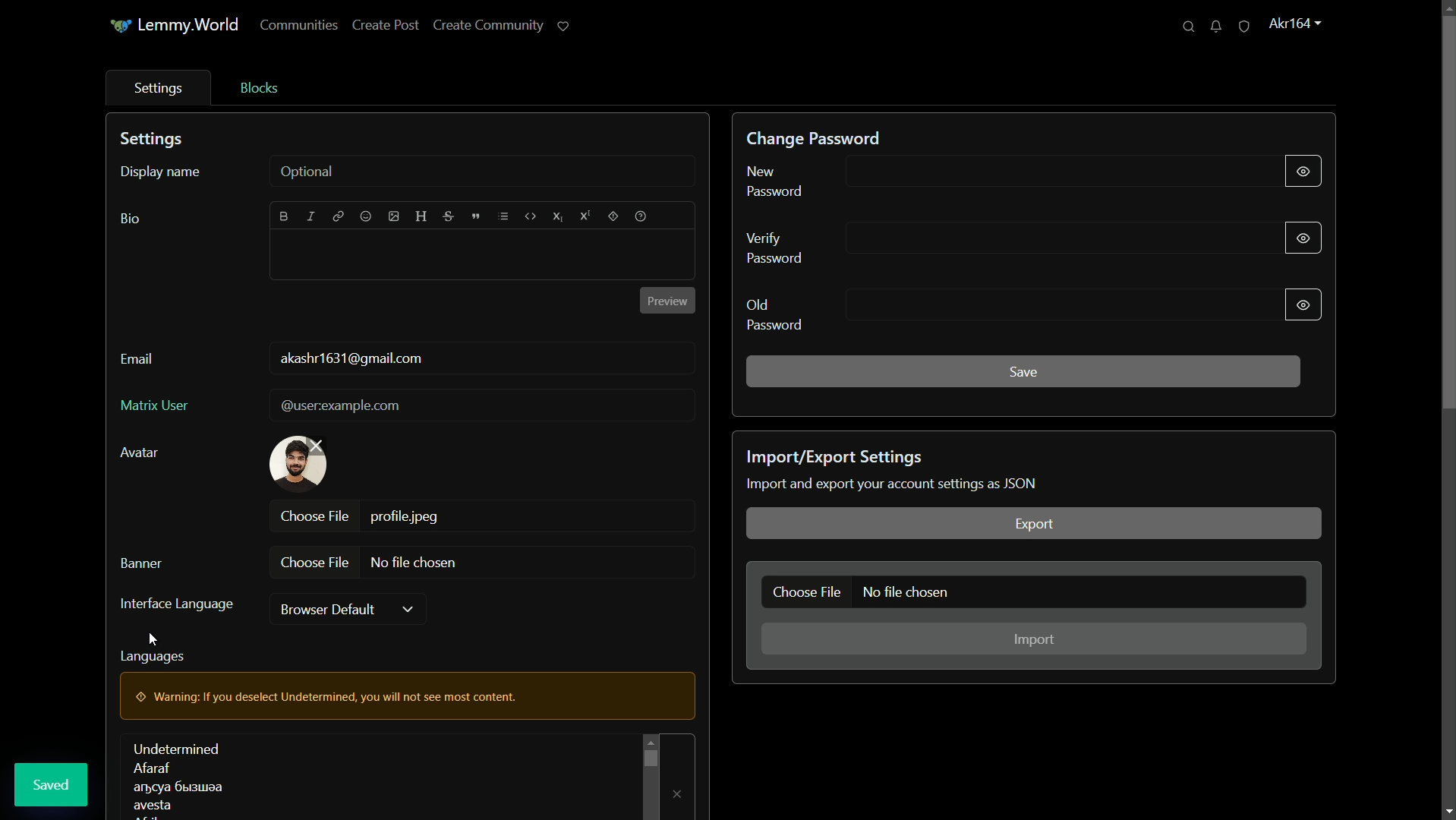 This screenshot has height=820, width=1456. Describe the element at coordinates (487, 27) in the screenshot. I see `create community` at that location.